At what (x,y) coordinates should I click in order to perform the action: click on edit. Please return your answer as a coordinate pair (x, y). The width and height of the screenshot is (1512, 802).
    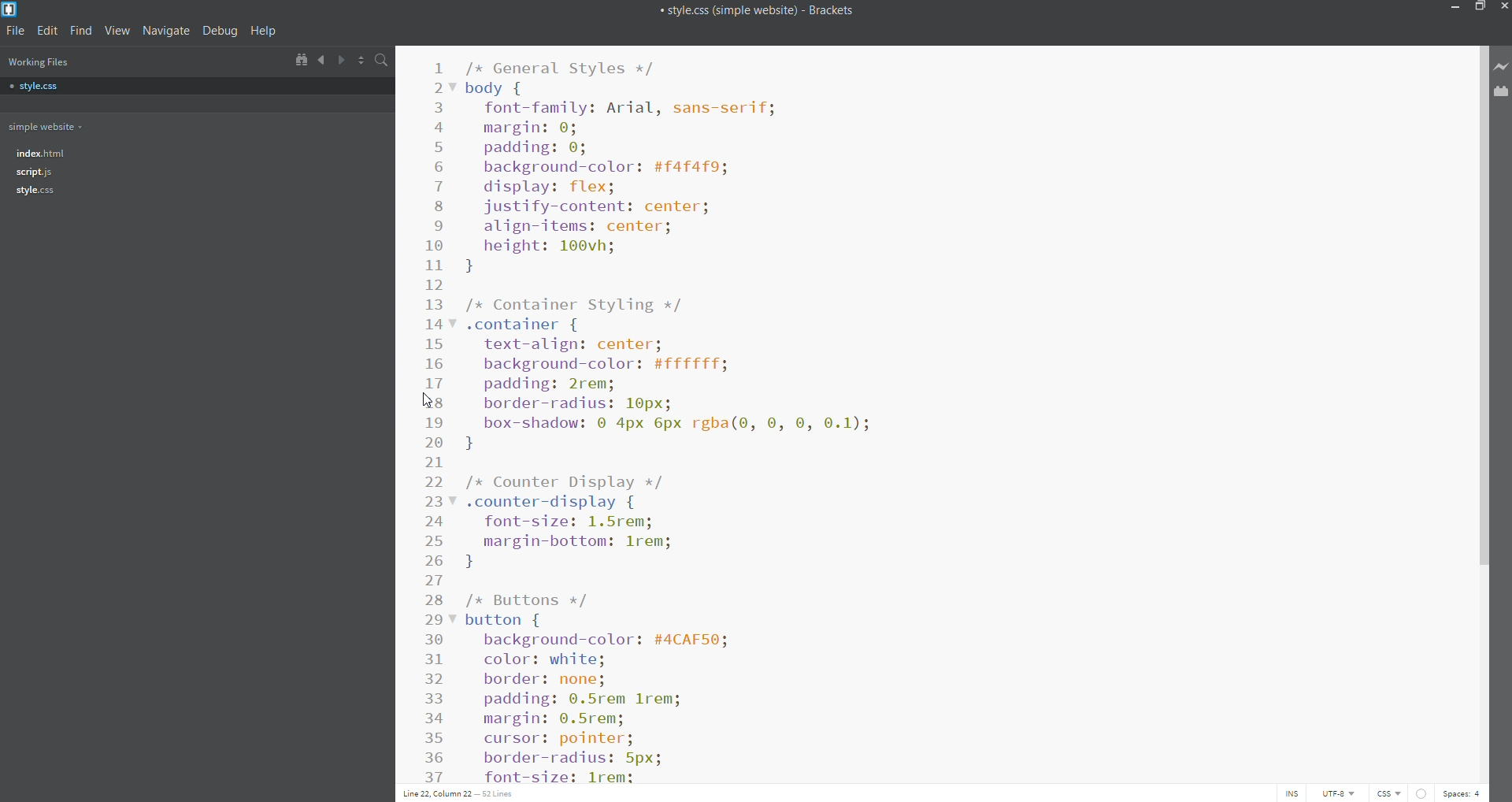
    Looking at the image, I should click on (48, 31).